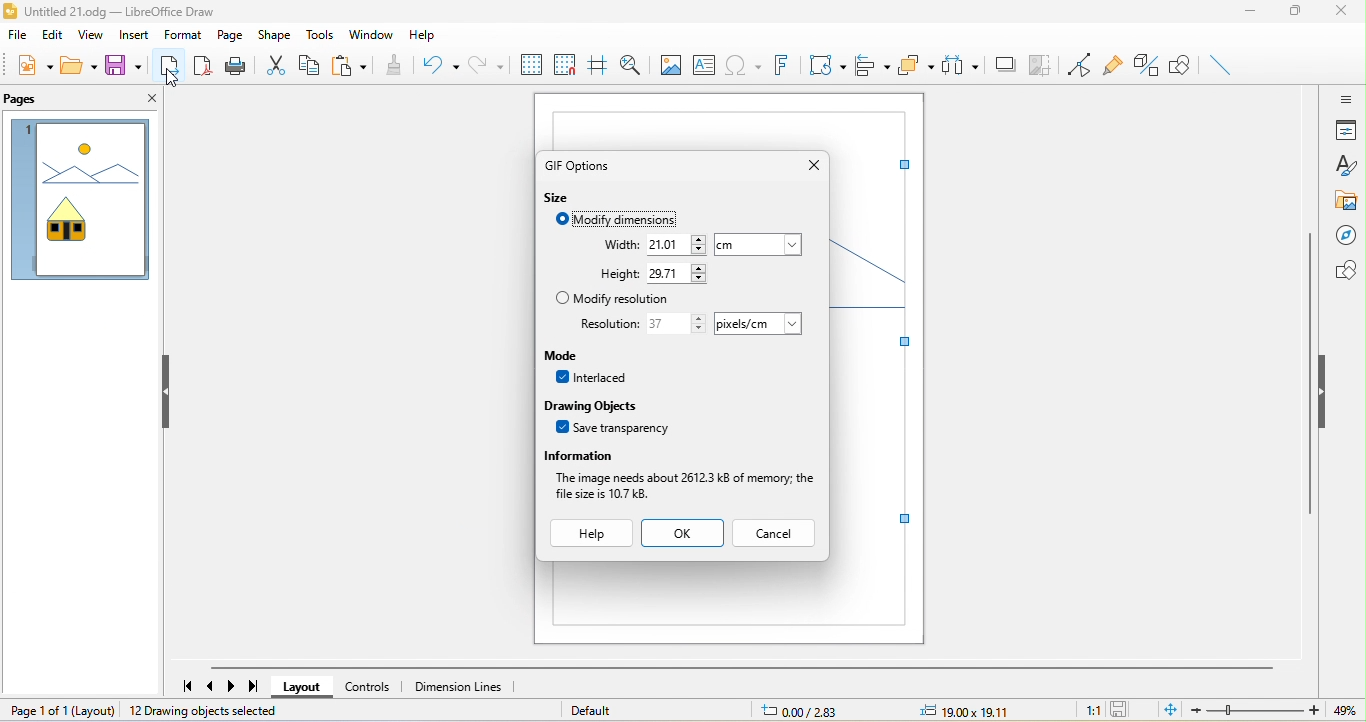 The height and width of the screenshot is (722, 1366). I want to click on toggle extrusion, so click(1148, 67).